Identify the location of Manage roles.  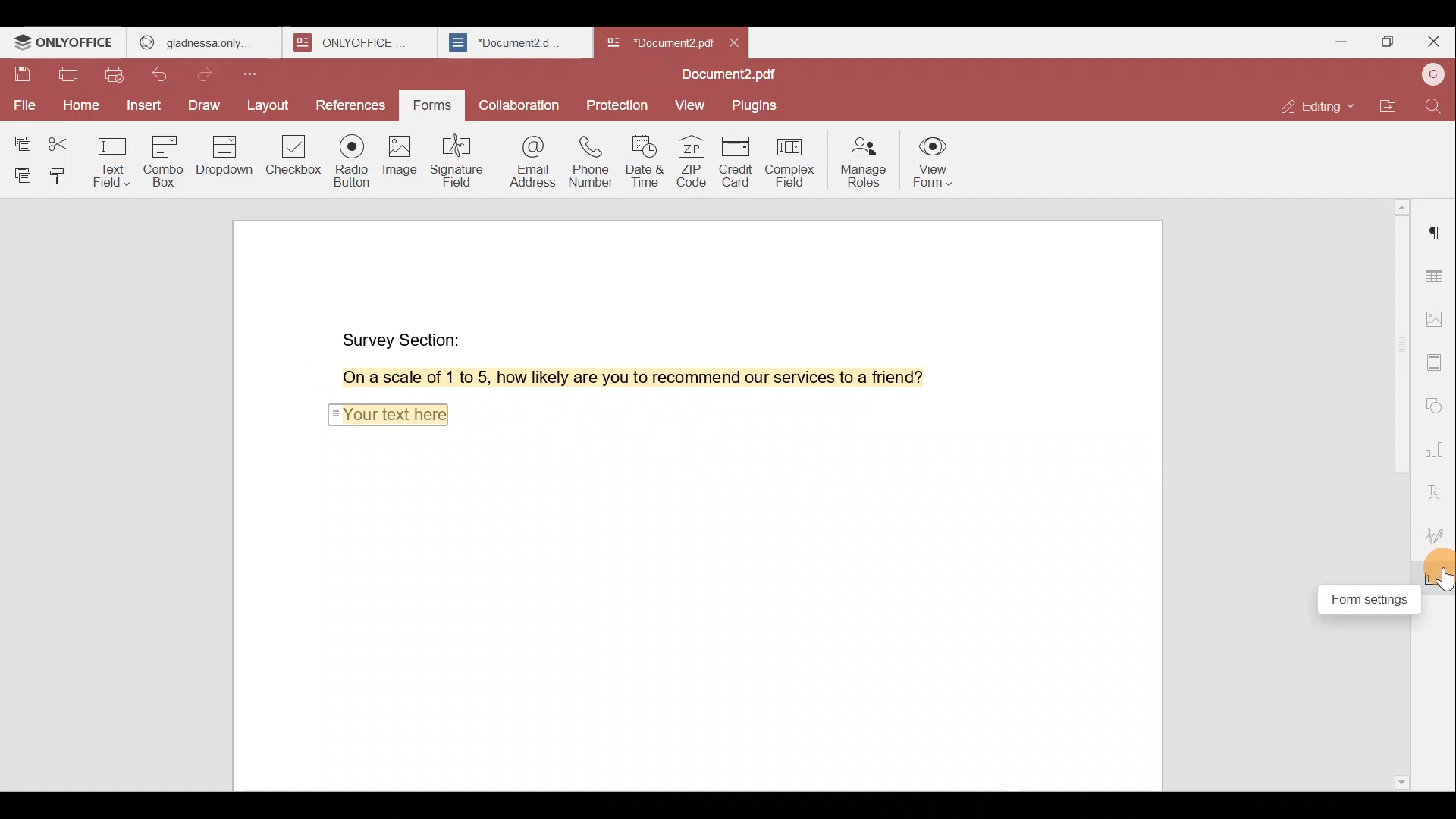
(862, 161).